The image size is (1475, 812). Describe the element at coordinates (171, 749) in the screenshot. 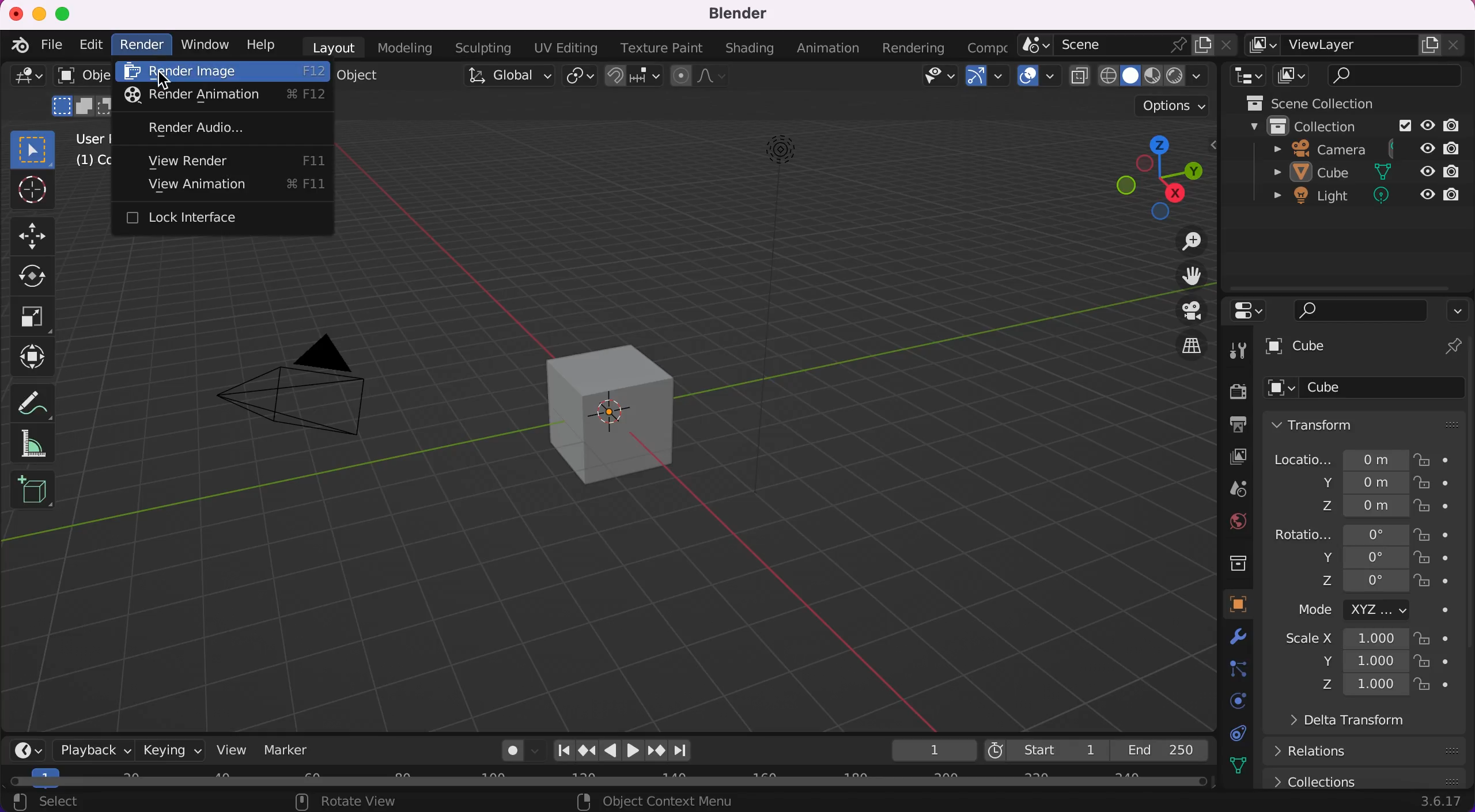

I see `keying` at that location.